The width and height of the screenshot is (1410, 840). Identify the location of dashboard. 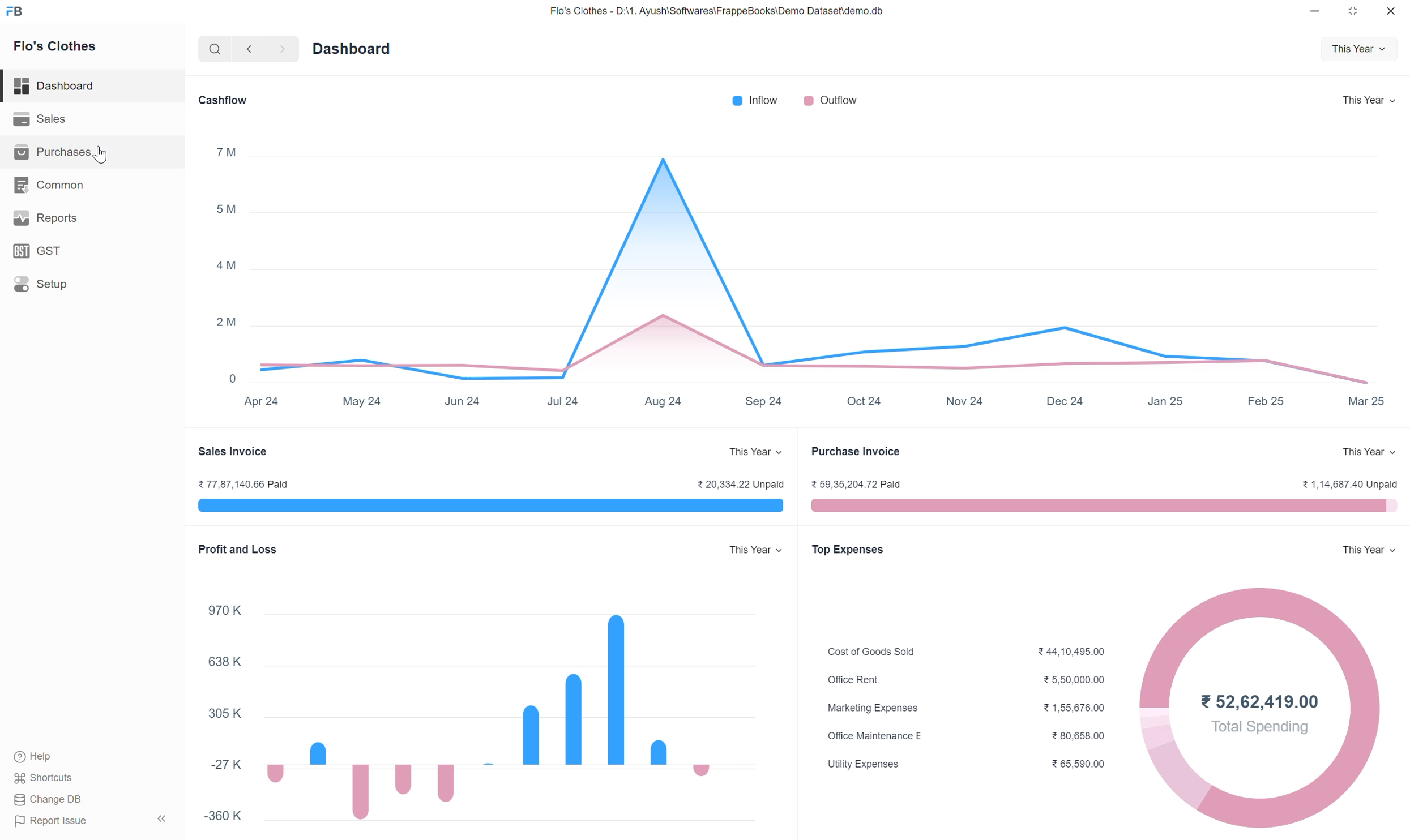
(55, 87).